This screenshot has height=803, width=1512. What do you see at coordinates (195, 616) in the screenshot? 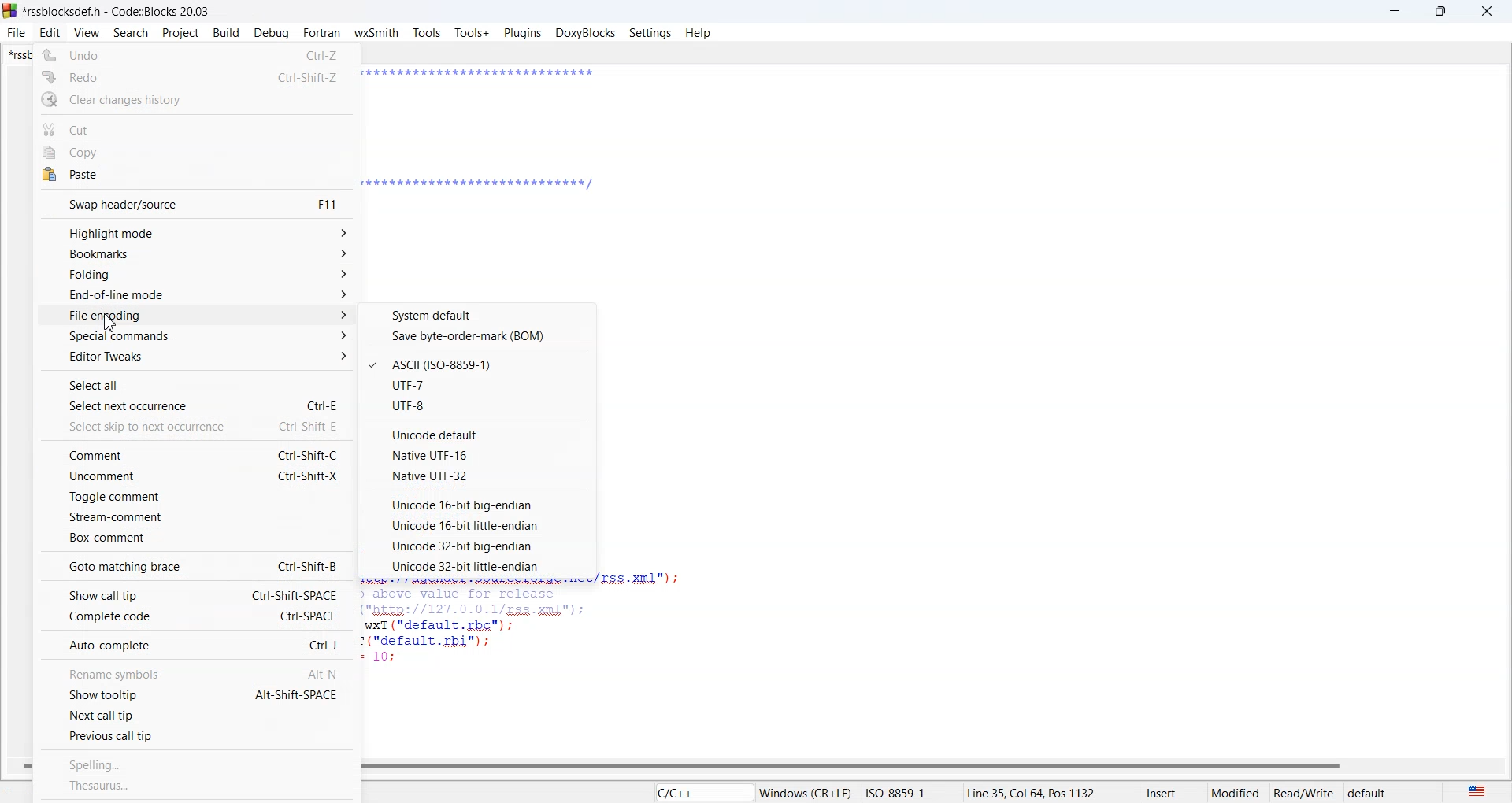
I see `Complete code` at bounding box center [195, 616].